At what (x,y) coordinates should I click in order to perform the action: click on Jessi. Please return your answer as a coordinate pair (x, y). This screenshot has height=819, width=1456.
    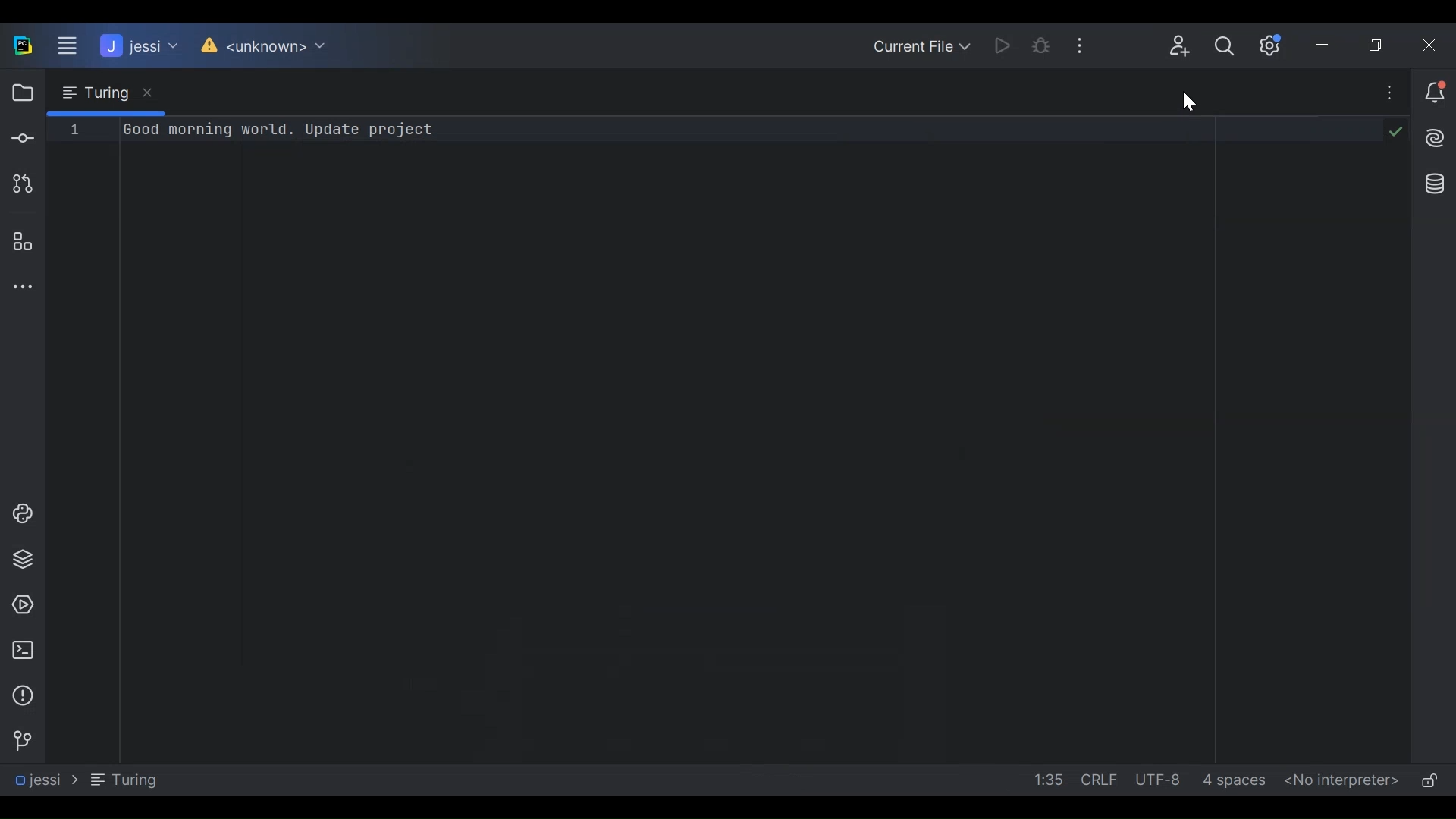
    Looking at the image, I should click on (137, 47).